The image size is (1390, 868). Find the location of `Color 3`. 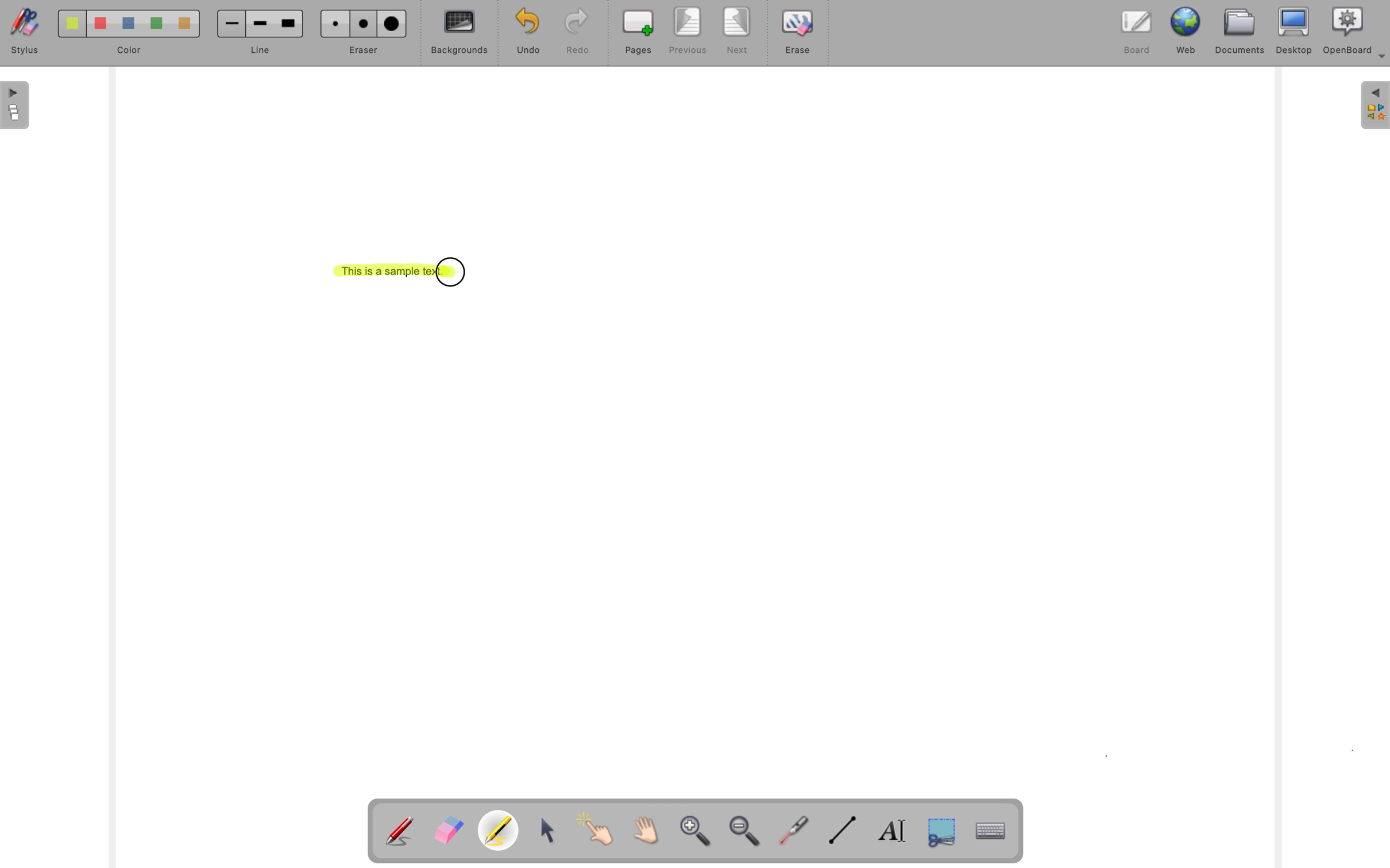

Color 3 is located at coordinates (129, 24).